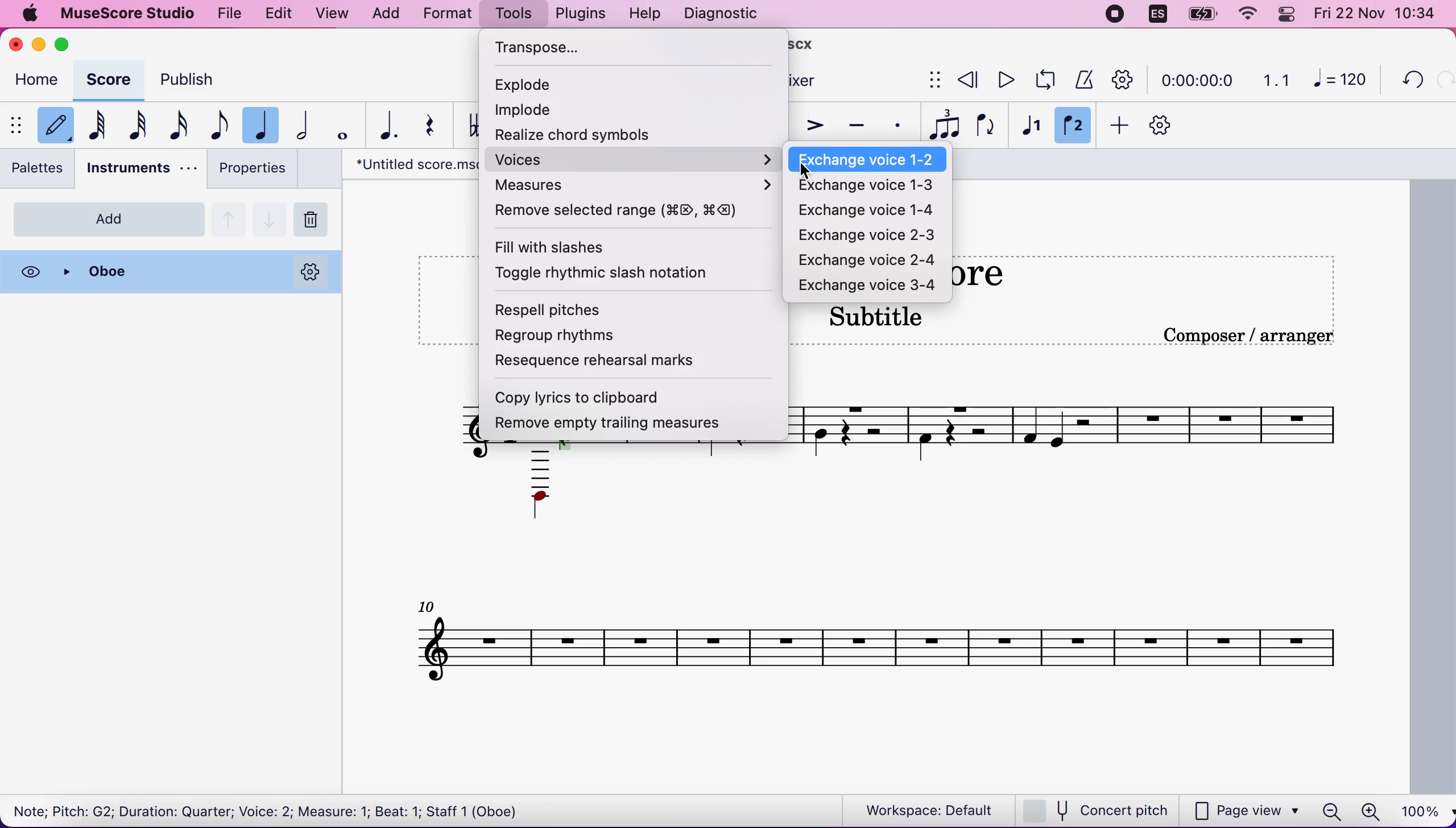 The height and width of the screenshot is (828, 1456). What do you see at coordinates (450, 14) in the screenshot?
I see `format` at bounding box center [450, 14].